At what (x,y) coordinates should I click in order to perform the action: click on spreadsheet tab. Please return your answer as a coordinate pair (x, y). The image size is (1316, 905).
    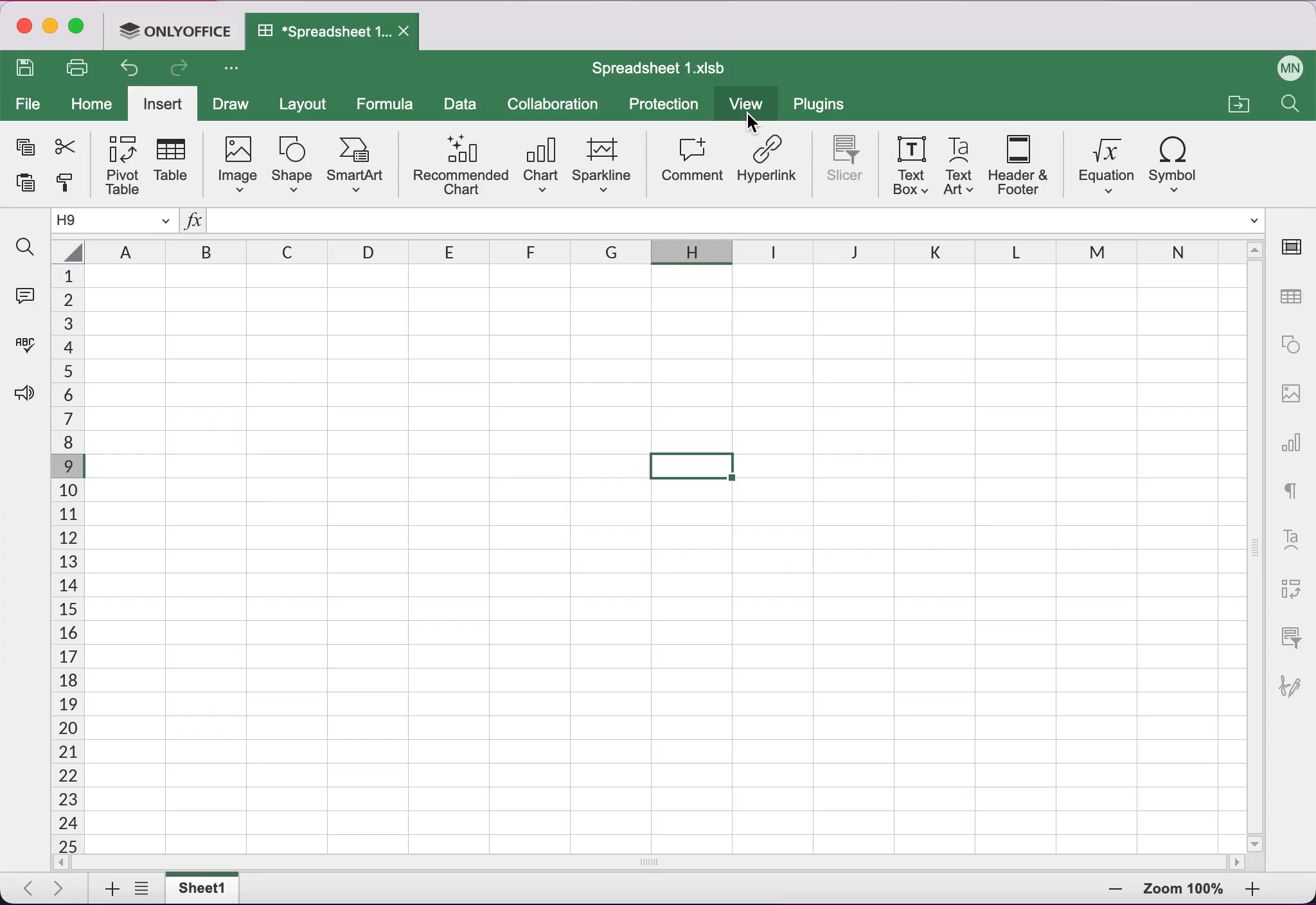
    Looking at the image, I should click on (334, 32).